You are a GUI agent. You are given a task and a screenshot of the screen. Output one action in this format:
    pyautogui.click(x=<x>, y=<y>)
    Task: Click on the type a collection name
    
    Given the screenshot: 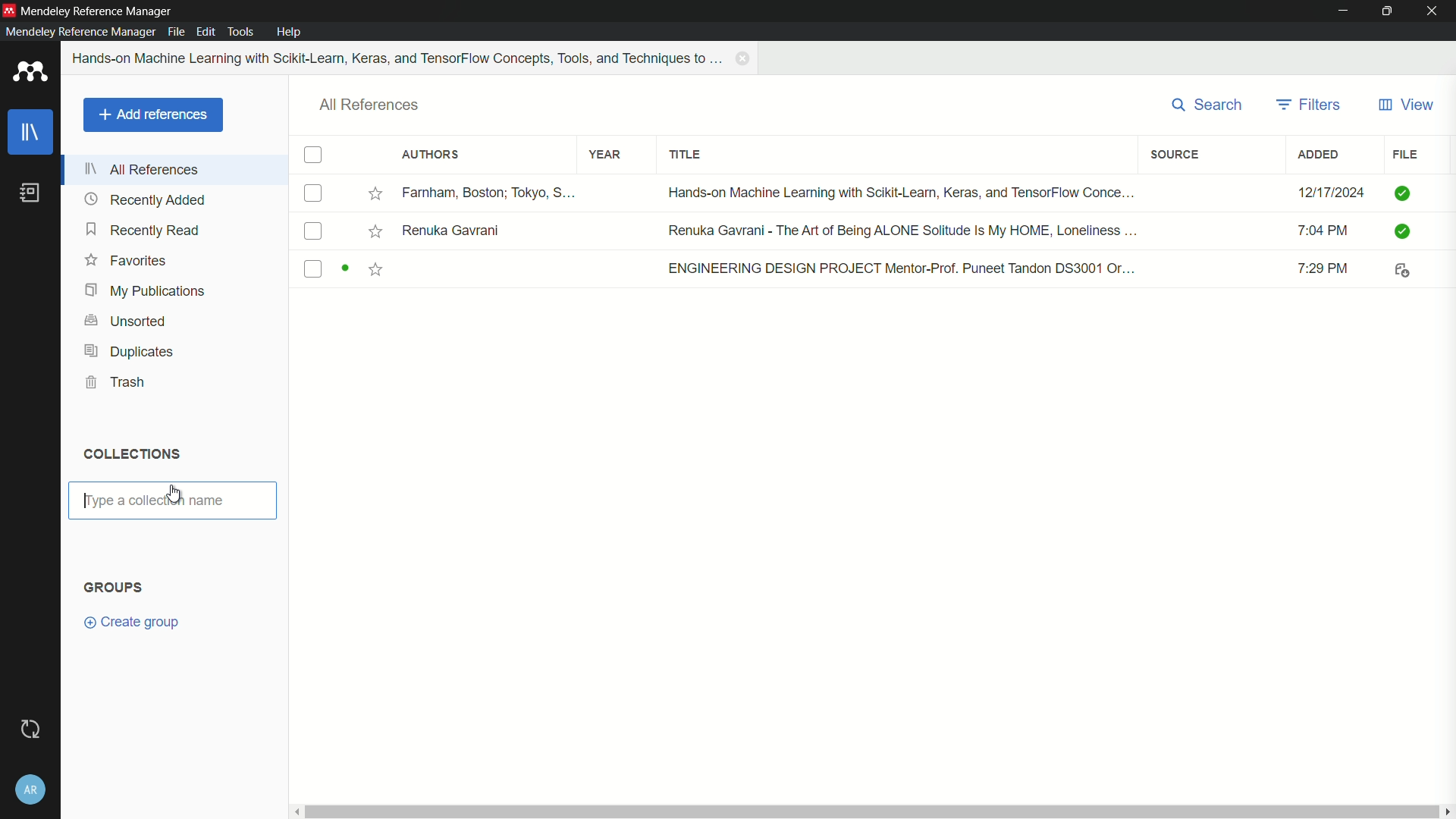 What is the action you would take?
    pyautogui.click(x=174, y=500)
    